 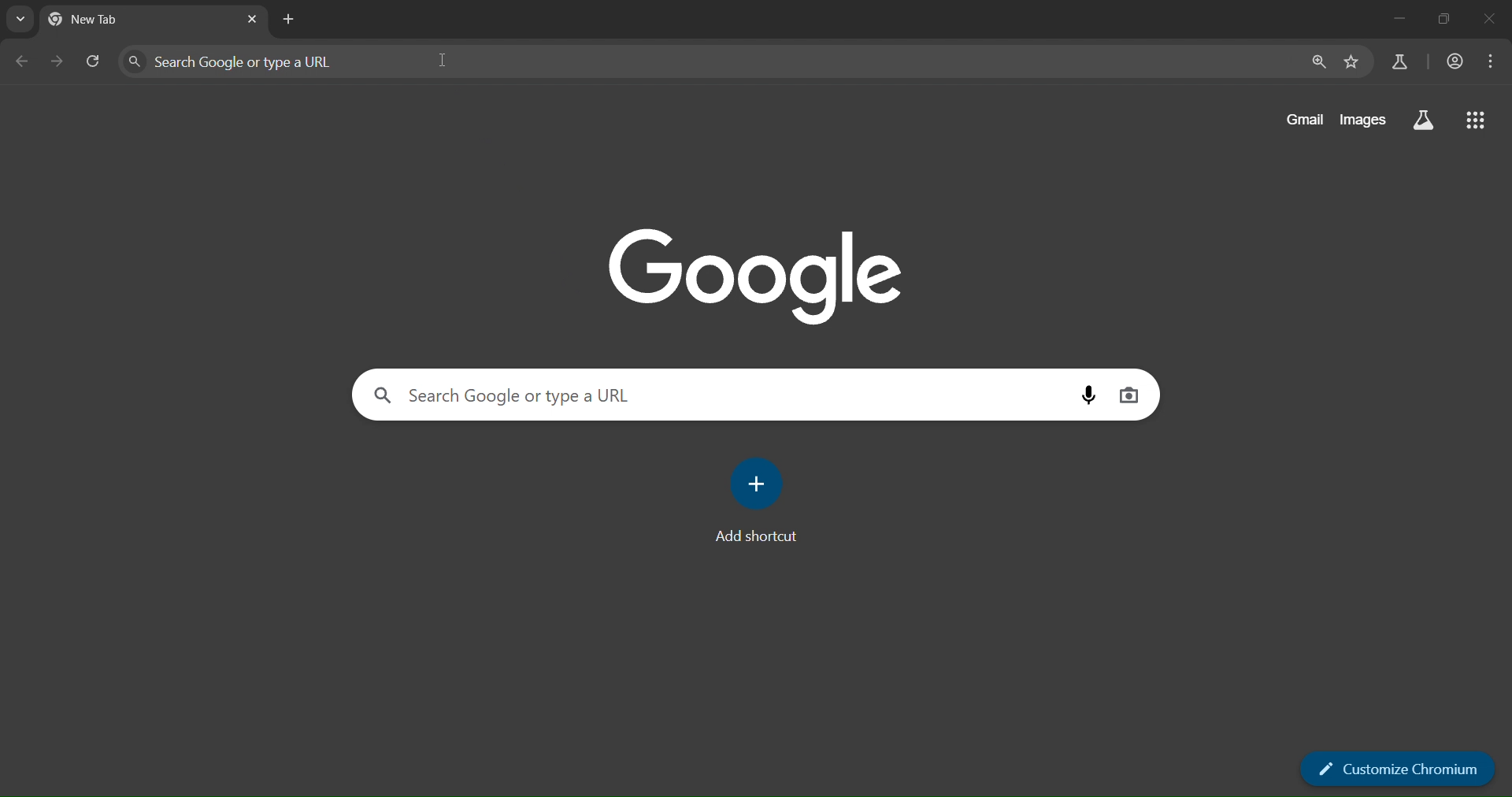 What do you see at coordinates (1493, 18) in the screenshot?
I see `close` at bounding box center [1493, 18].